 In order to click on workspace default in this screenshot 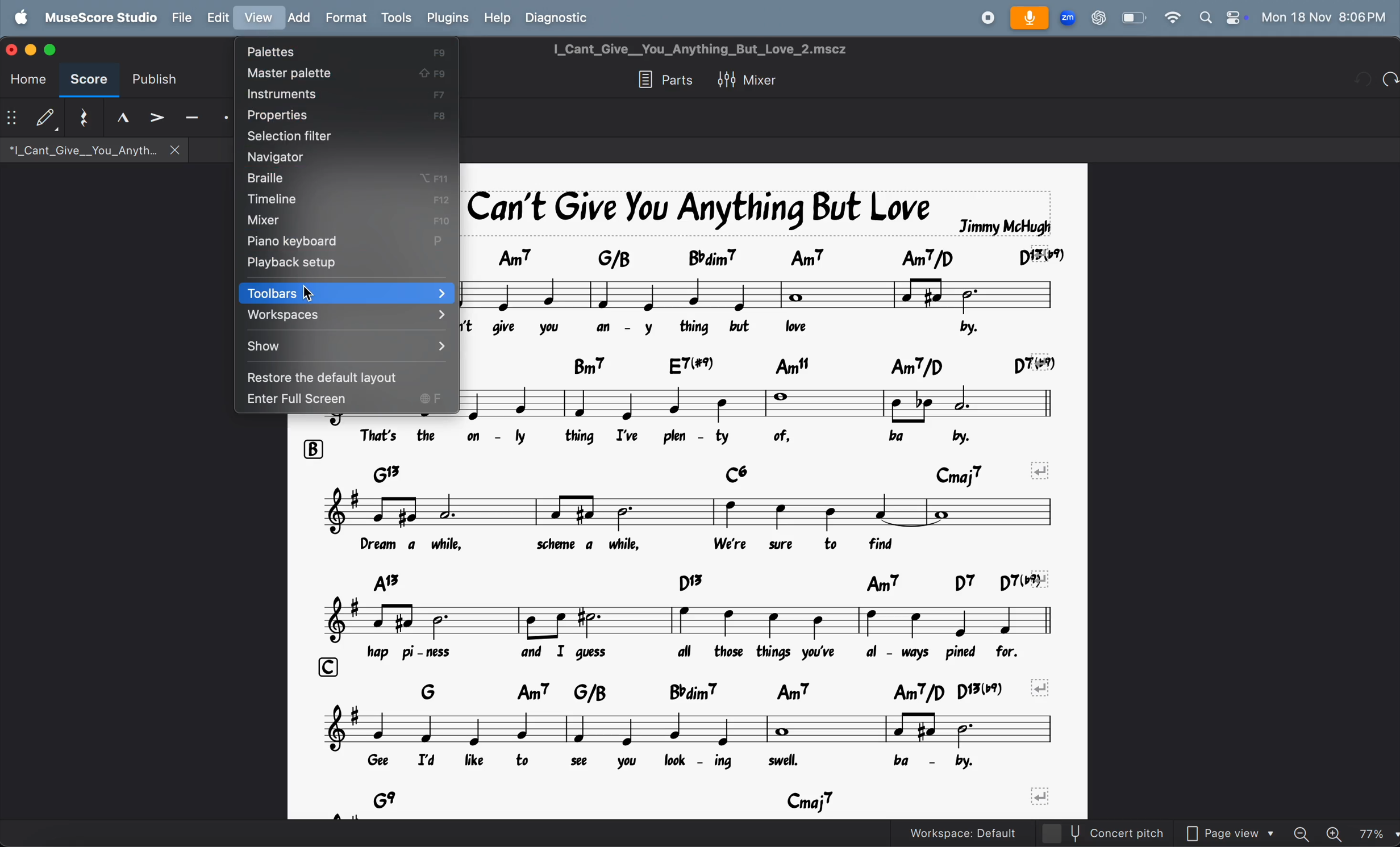, I will do `click(973, 832)`.